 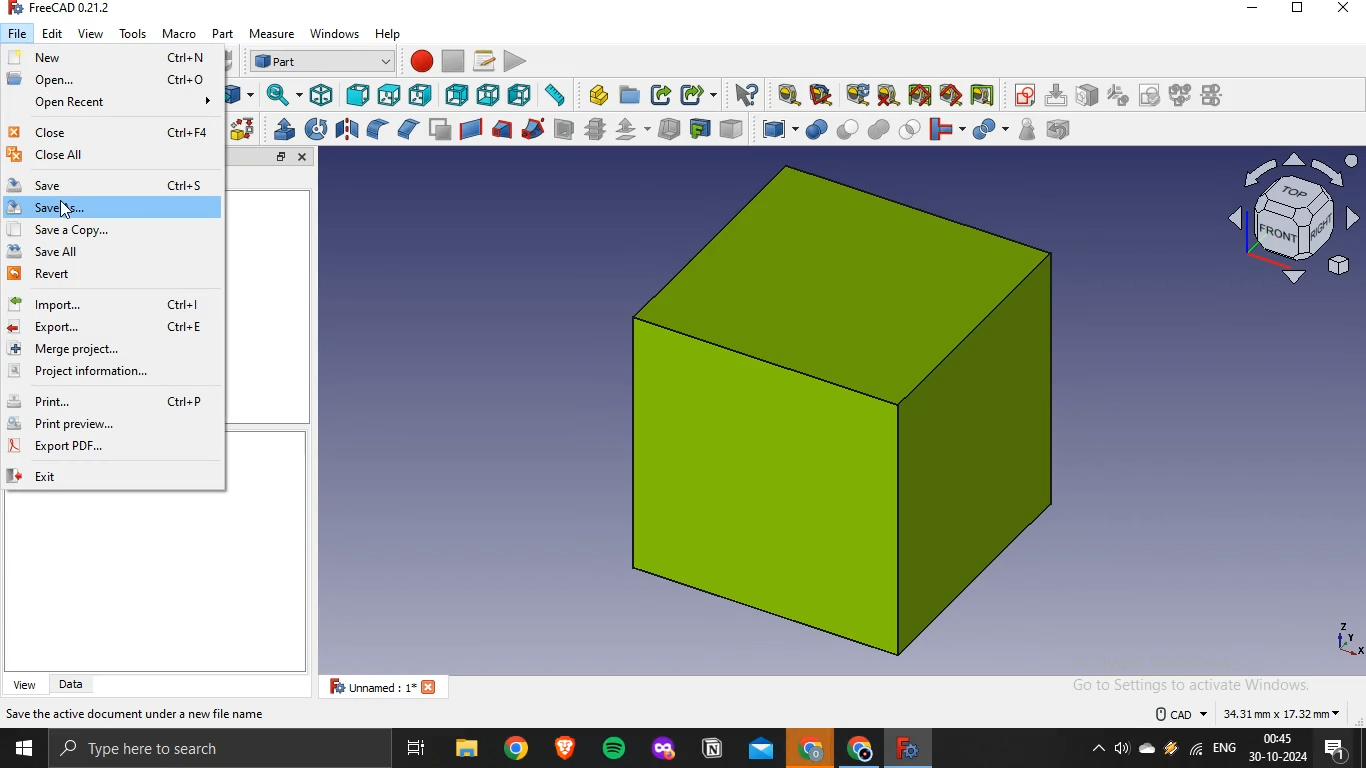 What do you see at coordinates (466, 748) in the screenshot?
I see `file explorer` at bounding box center [466, 748].